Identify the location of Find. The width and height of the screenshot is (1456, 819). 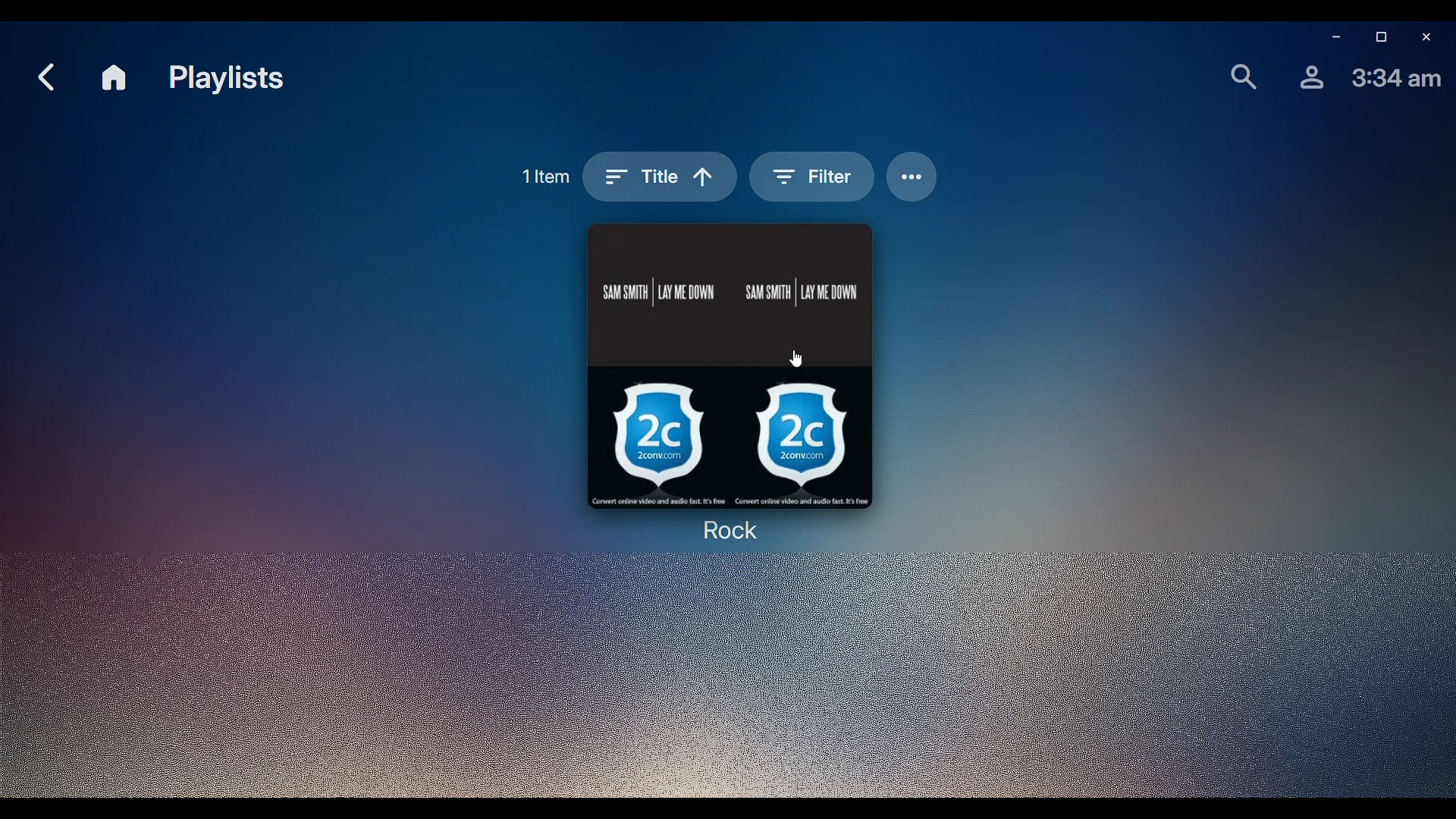
(1239, 74).